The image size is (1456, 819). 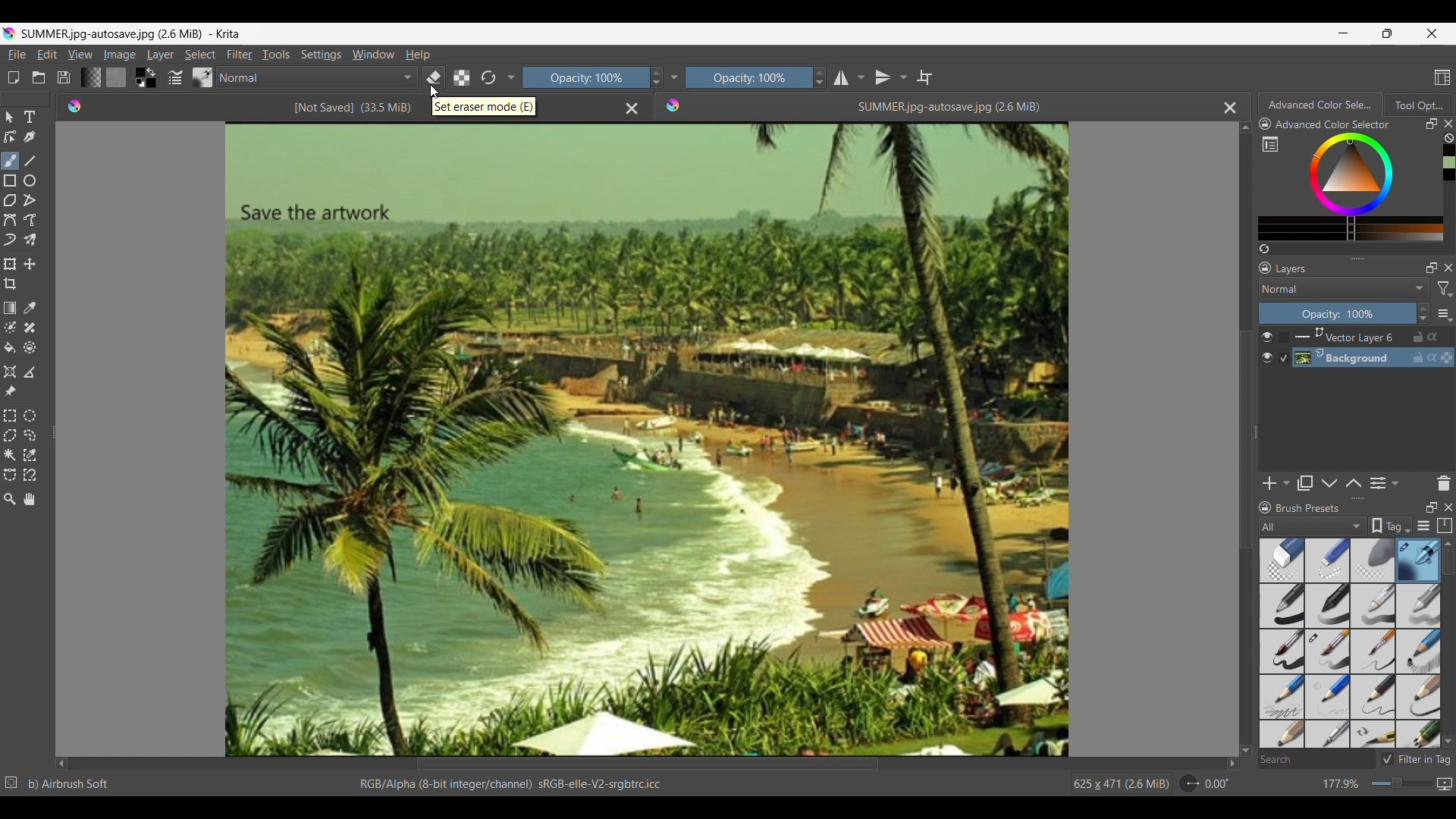 I want to click on Search box, so click(x=1316, y=759).